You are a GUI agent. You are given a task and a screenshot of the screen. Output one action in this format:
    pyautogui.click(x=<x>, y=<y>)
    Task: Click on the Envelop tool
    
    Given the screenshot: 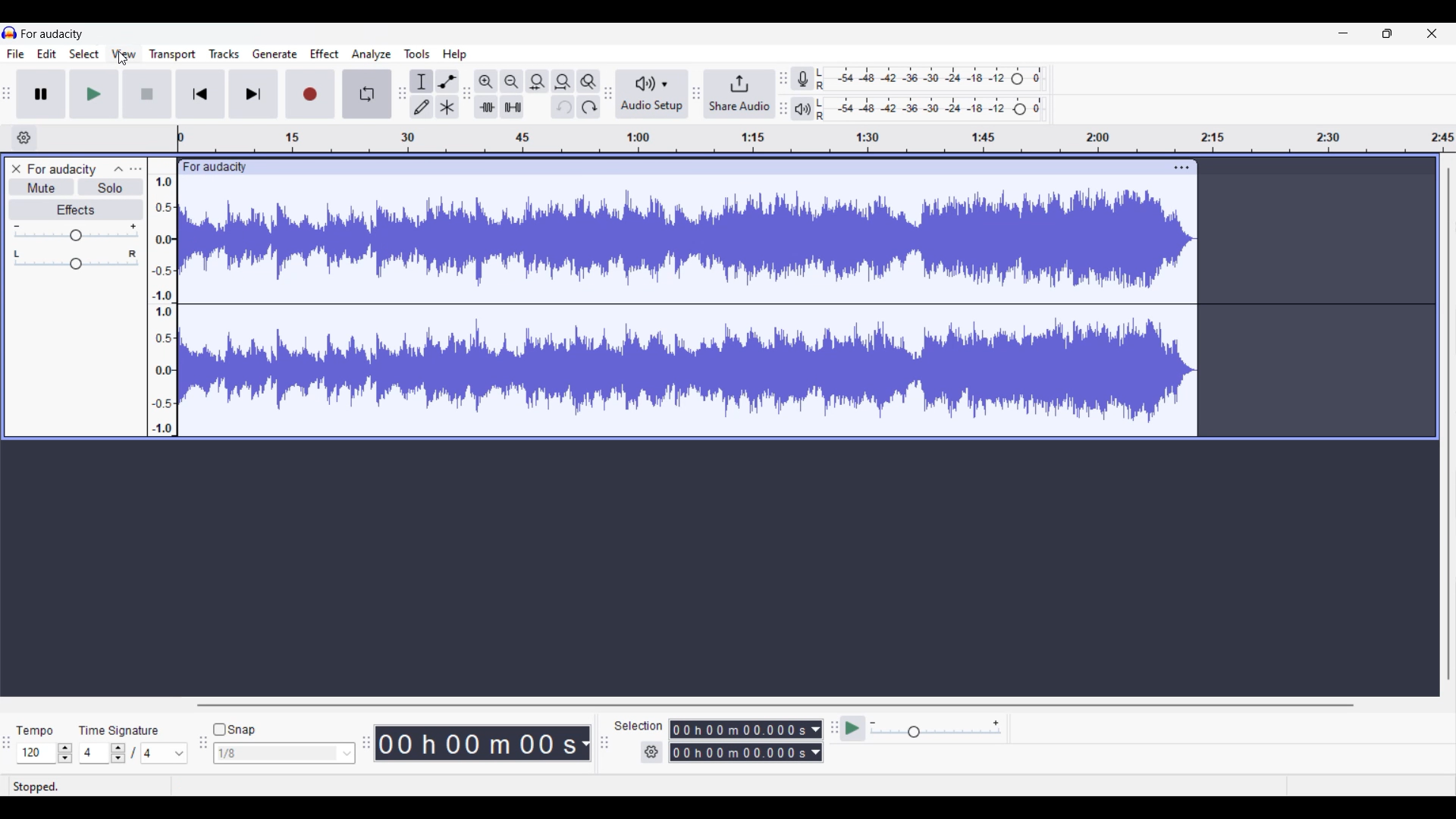 What is the action you would take?
    pyautogui.click(x=447, y=82)
    